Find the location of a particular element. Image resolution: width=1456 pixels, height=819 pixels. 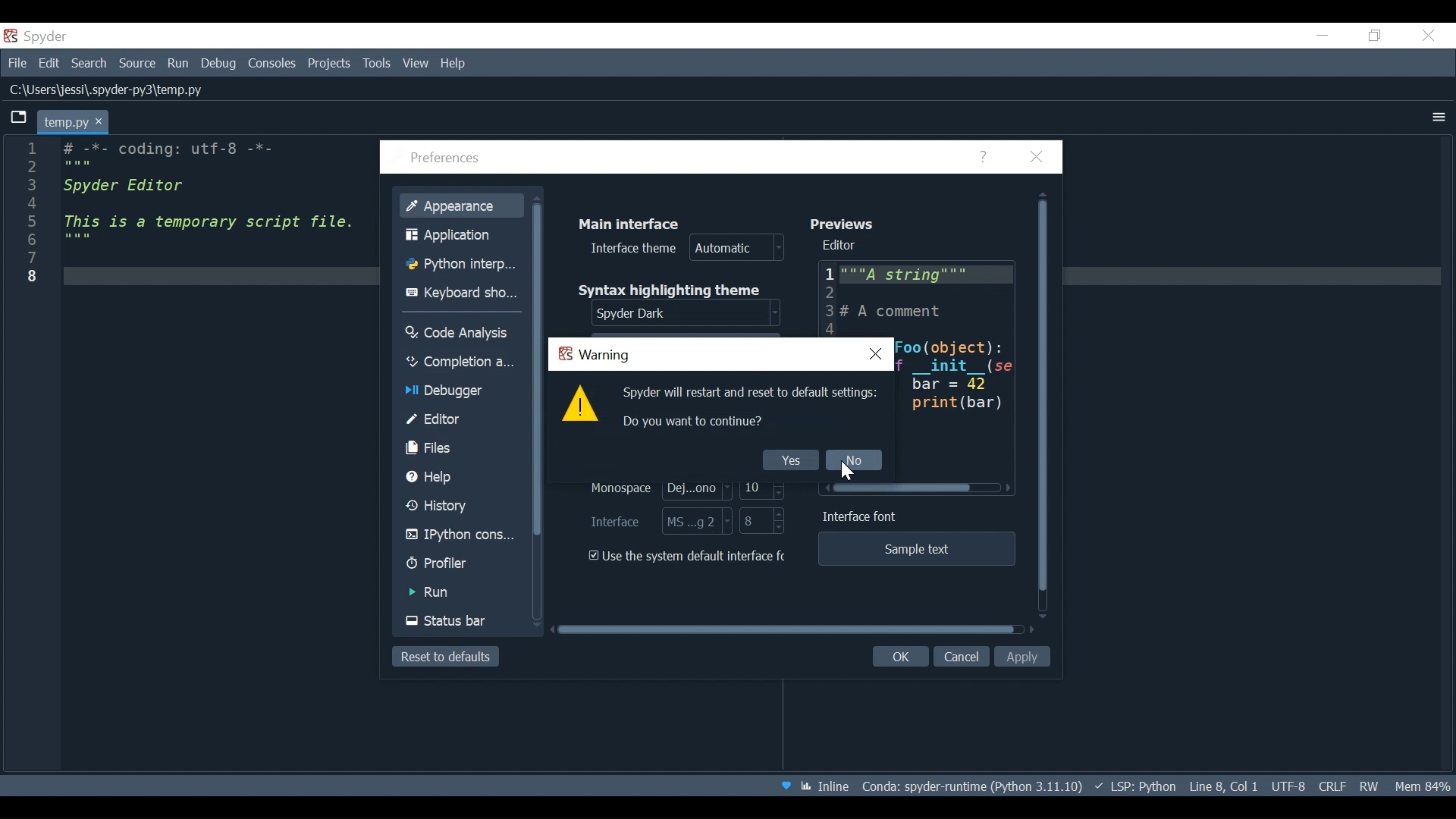

line numbers is located at coordinates (30, 215).